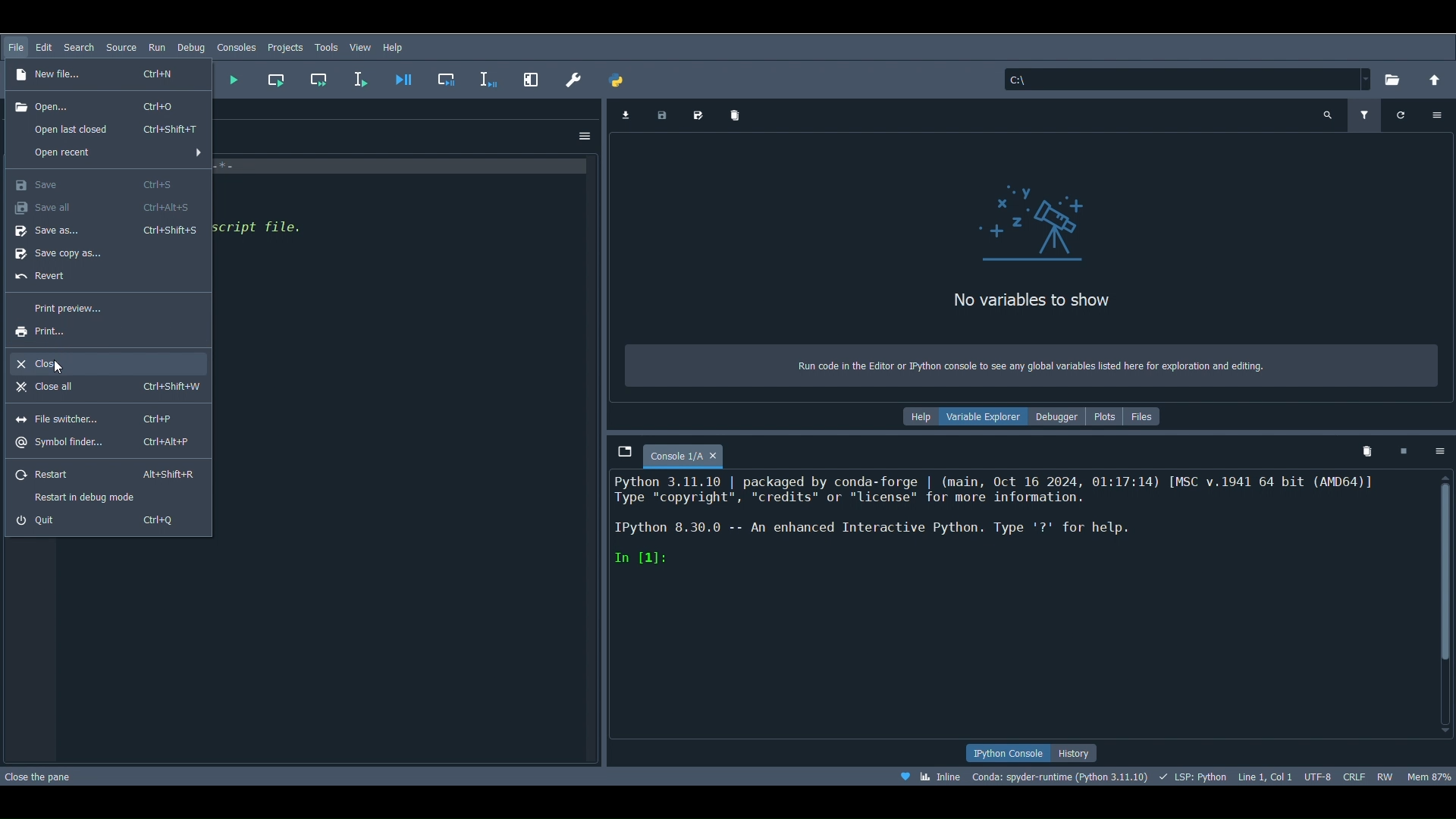 This screenshot has height=819, width=1456. What do you see at coordinates (14, 45) in the screenshot?
I see `File` at bounding box center [14, 45].